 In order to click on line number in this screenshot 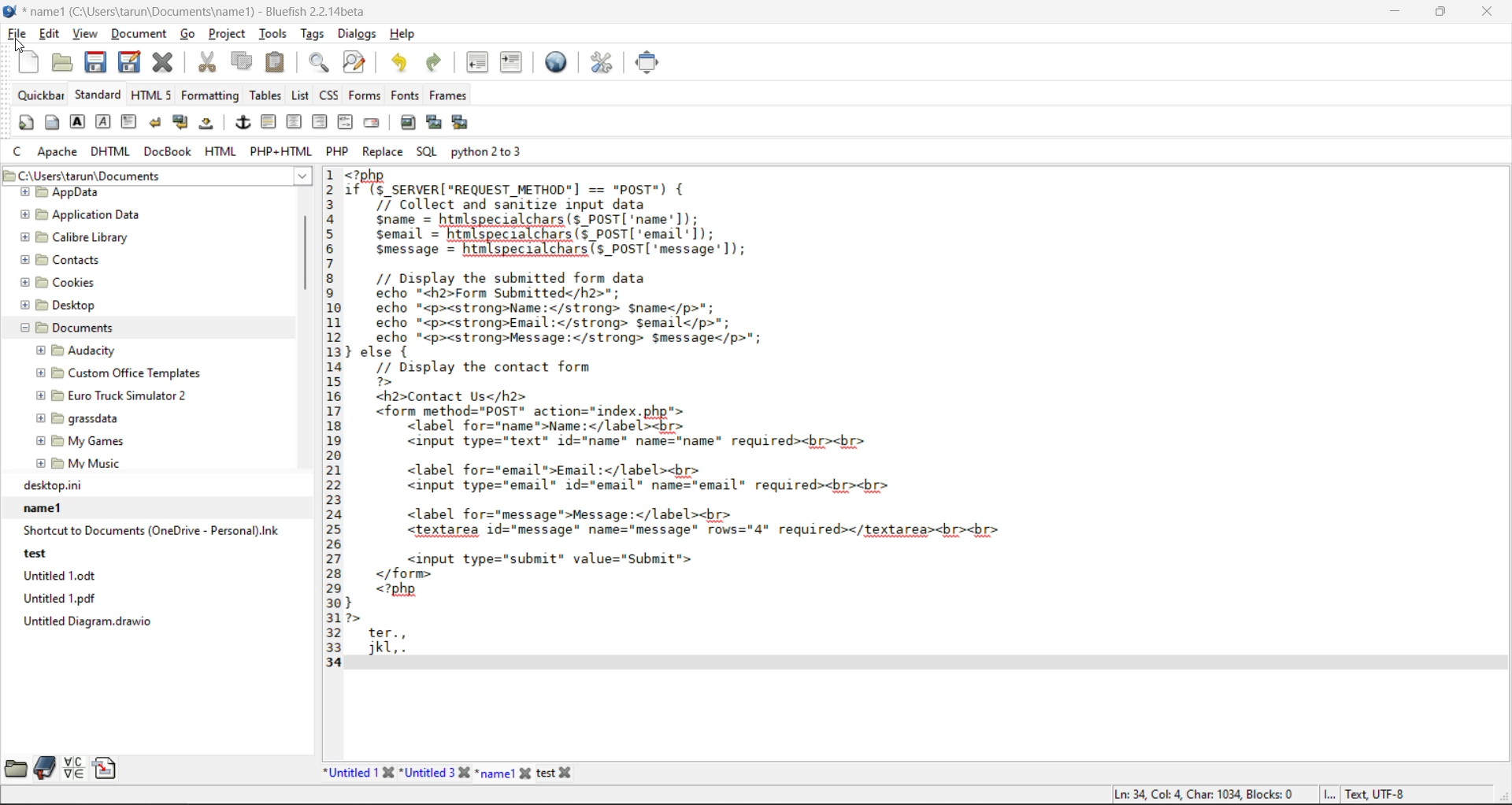, I will do `click(332, 418)`.